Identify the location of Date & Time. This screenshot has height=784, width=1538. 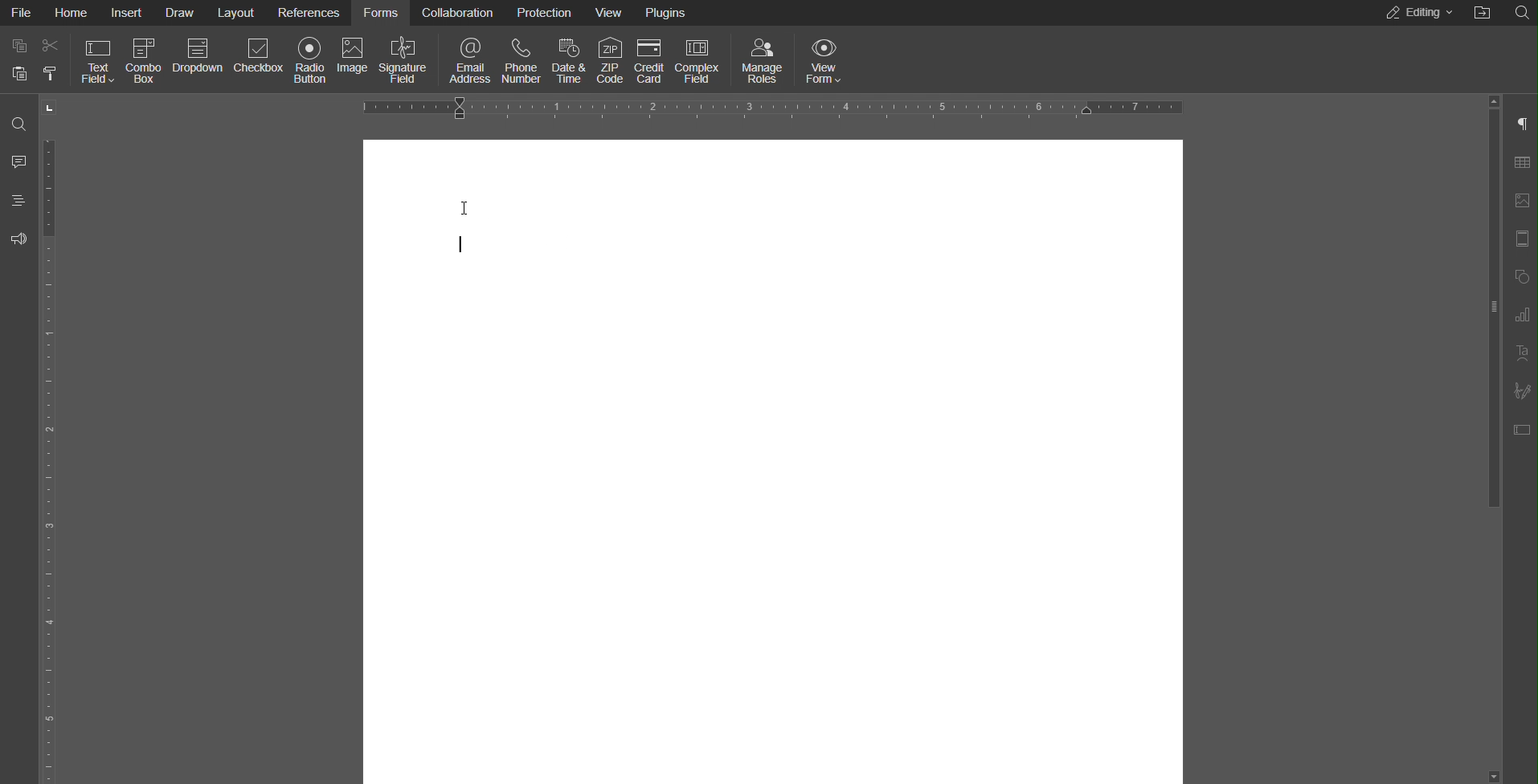
(570, 57).